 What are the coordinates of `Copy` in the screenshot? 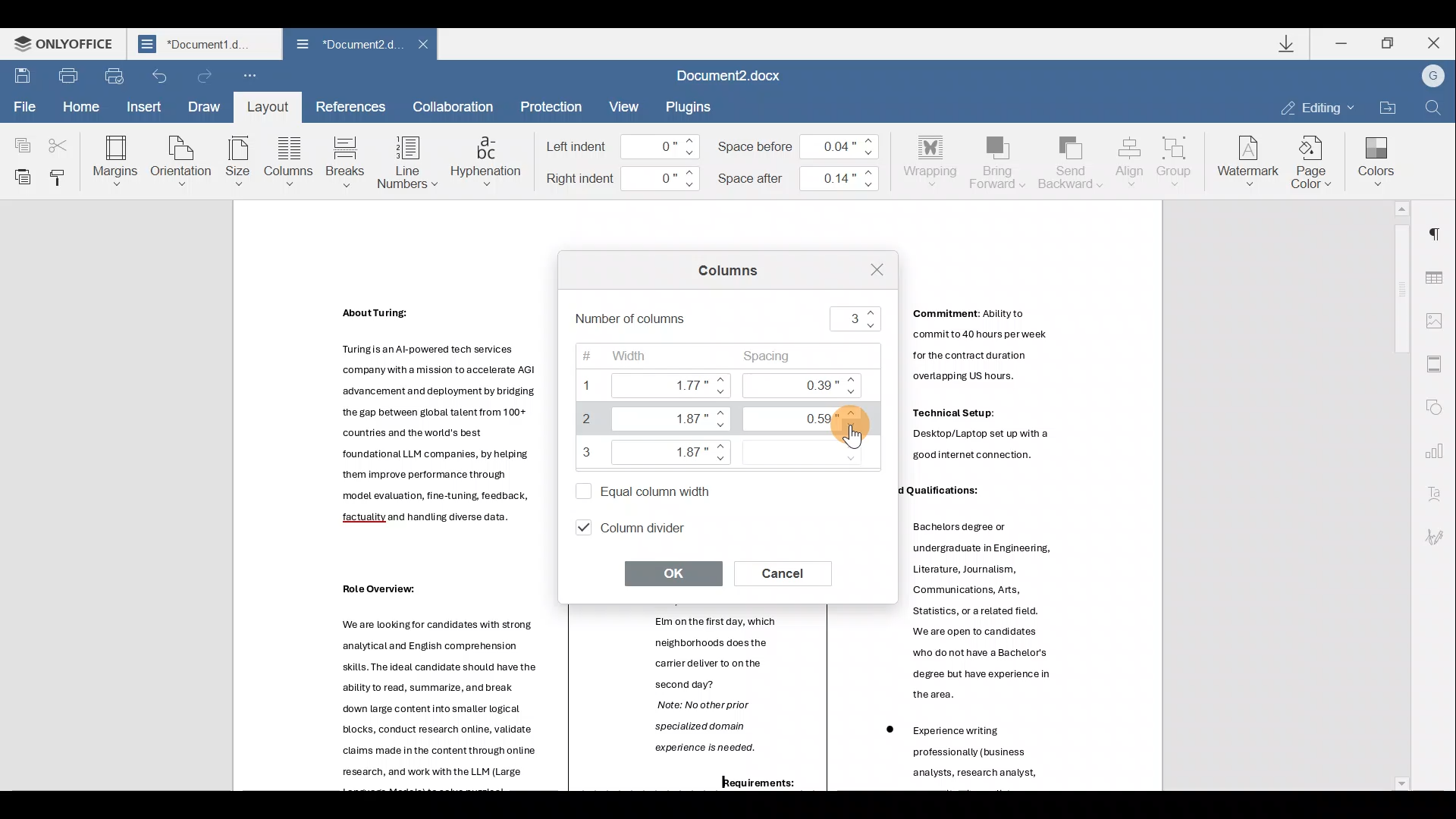 It's located at (19, 138).